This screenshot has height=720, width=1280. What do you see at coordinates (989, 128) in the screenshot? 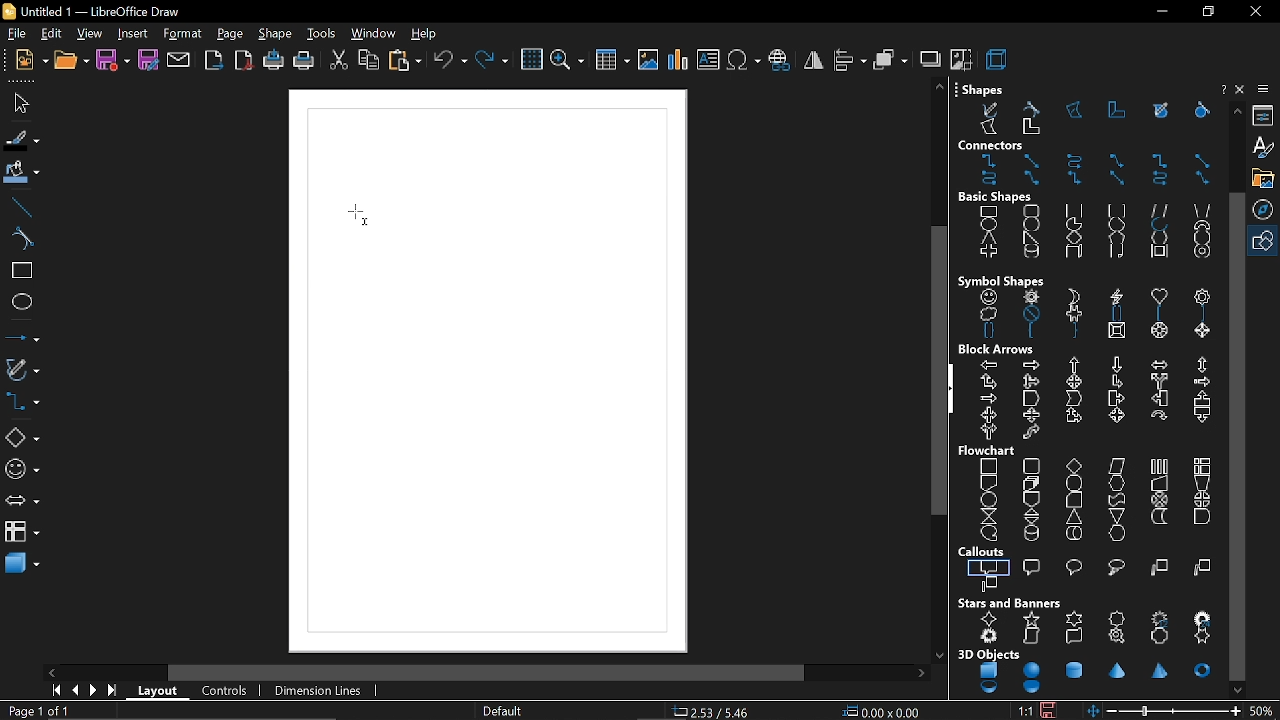
I see `polygon filled` at bounding box center [989, 128].